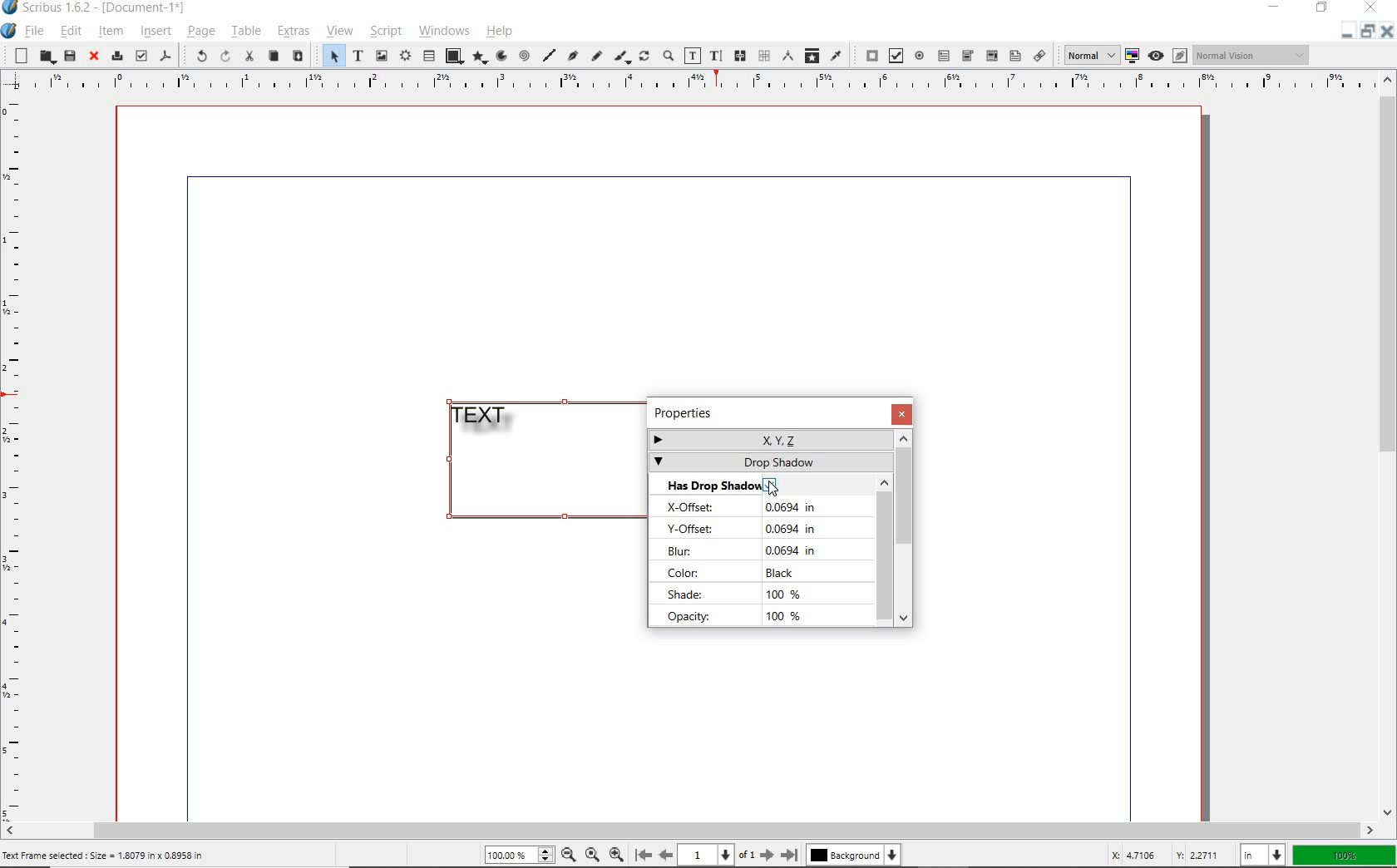 The width and height of the screenshot is (1397, 868). What do you see at coordinates (967, 57) in the screenshot?
I see `pdf combo box` at bounding box center [967, 57].